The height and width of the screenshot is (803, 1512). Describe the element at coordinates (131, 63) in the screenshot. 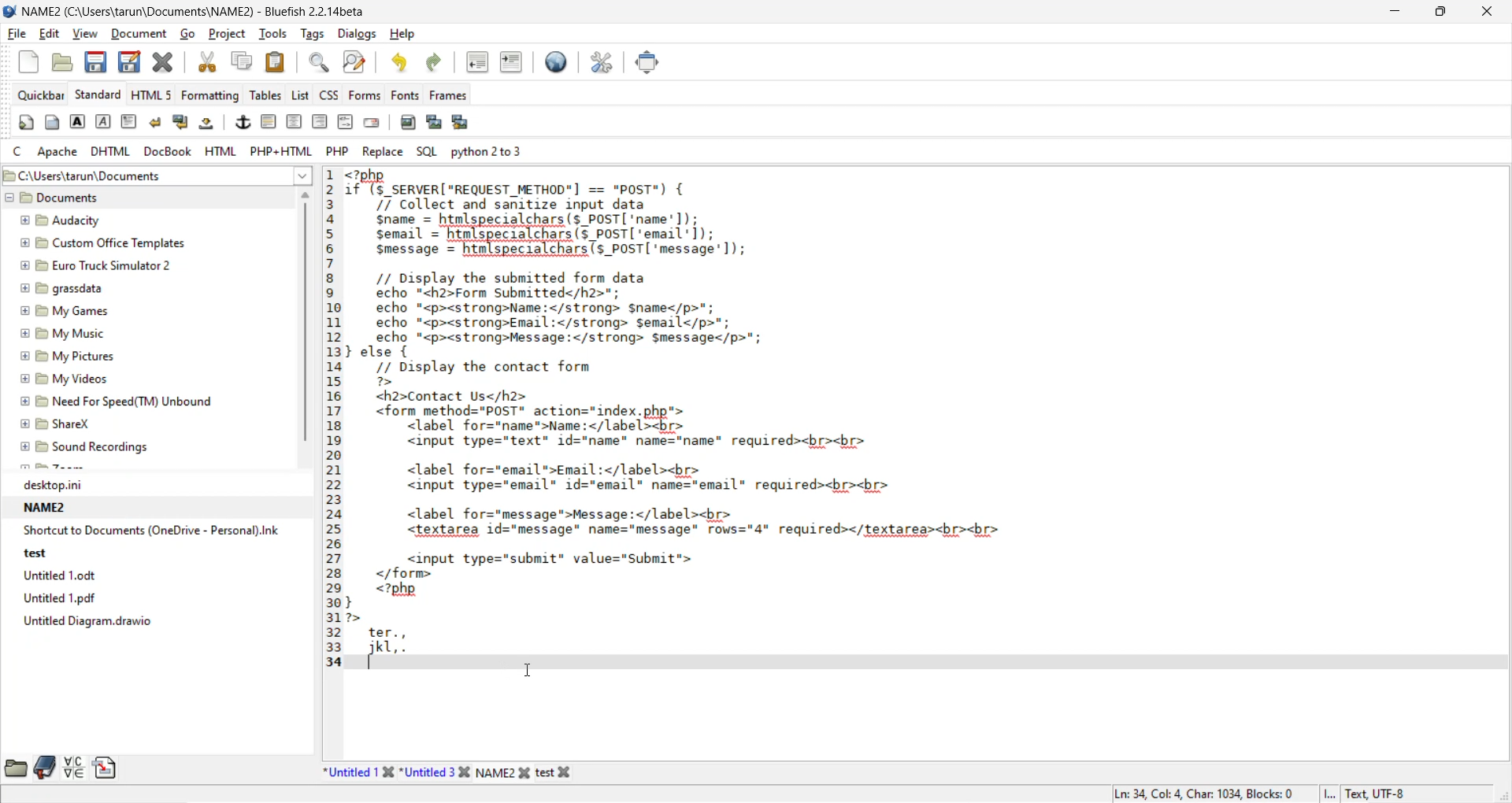

I see `save as` at that location.